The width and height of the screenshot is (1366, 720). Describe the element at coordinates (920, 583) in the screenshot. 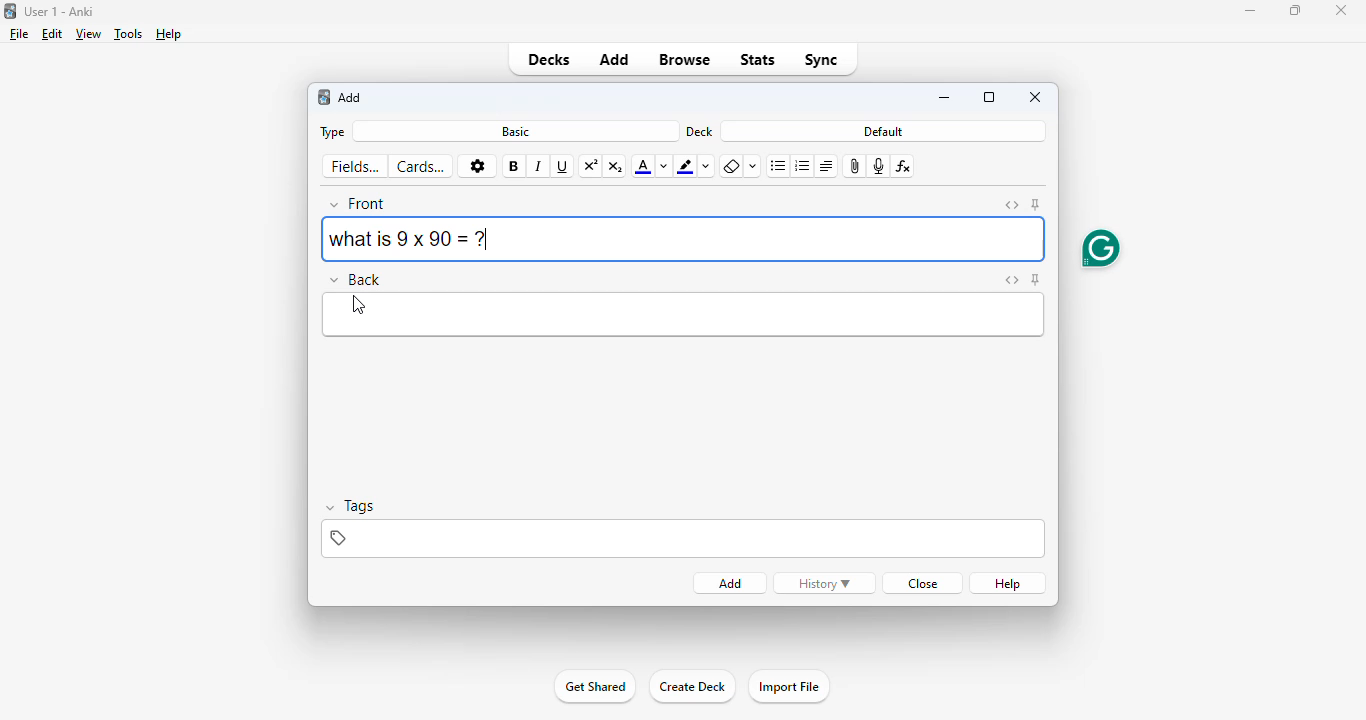

I see `close` at that location.